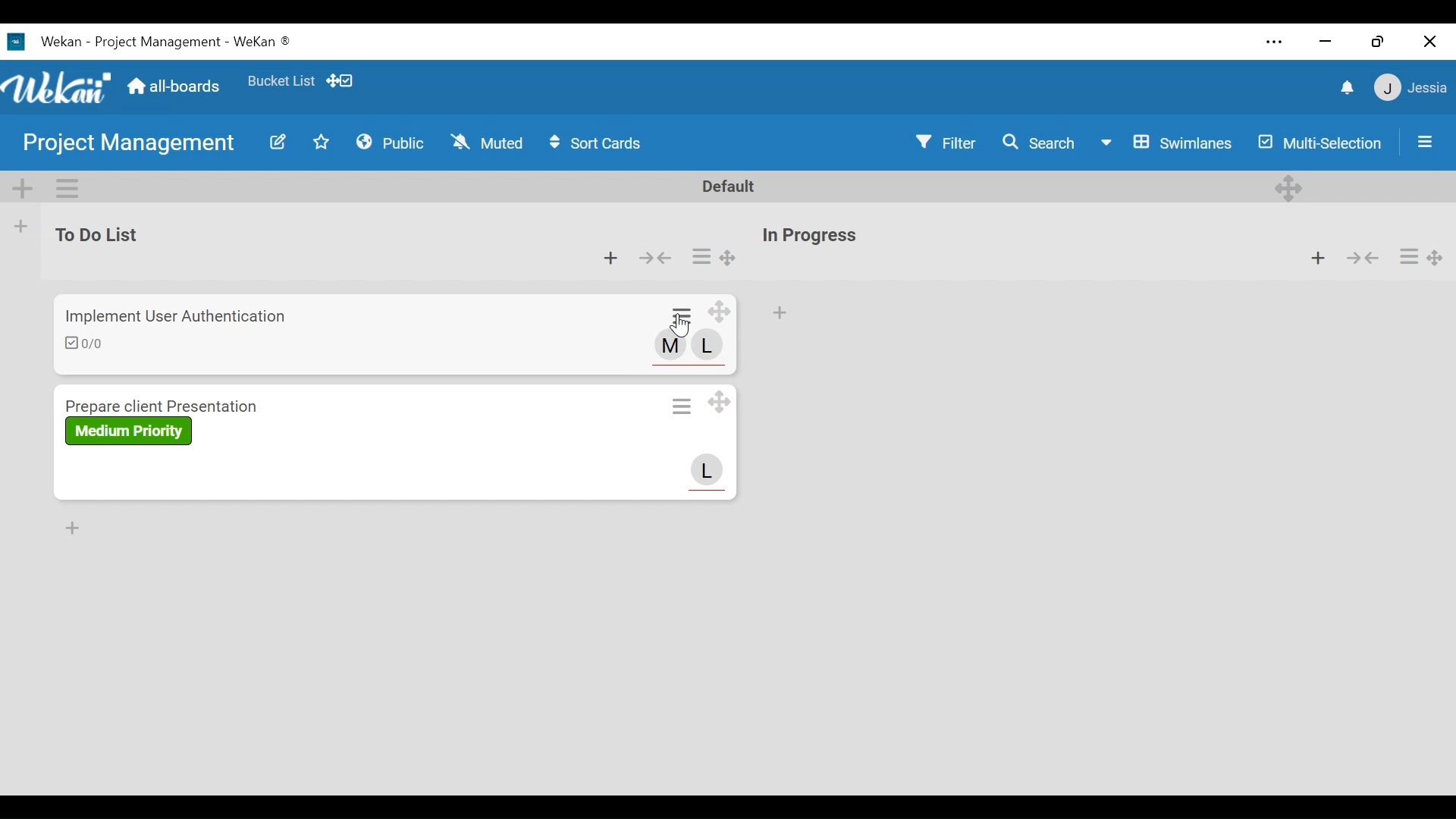  Describe the element at coordinates (1378, 41) in the screenshot. I see `restore` at that location.